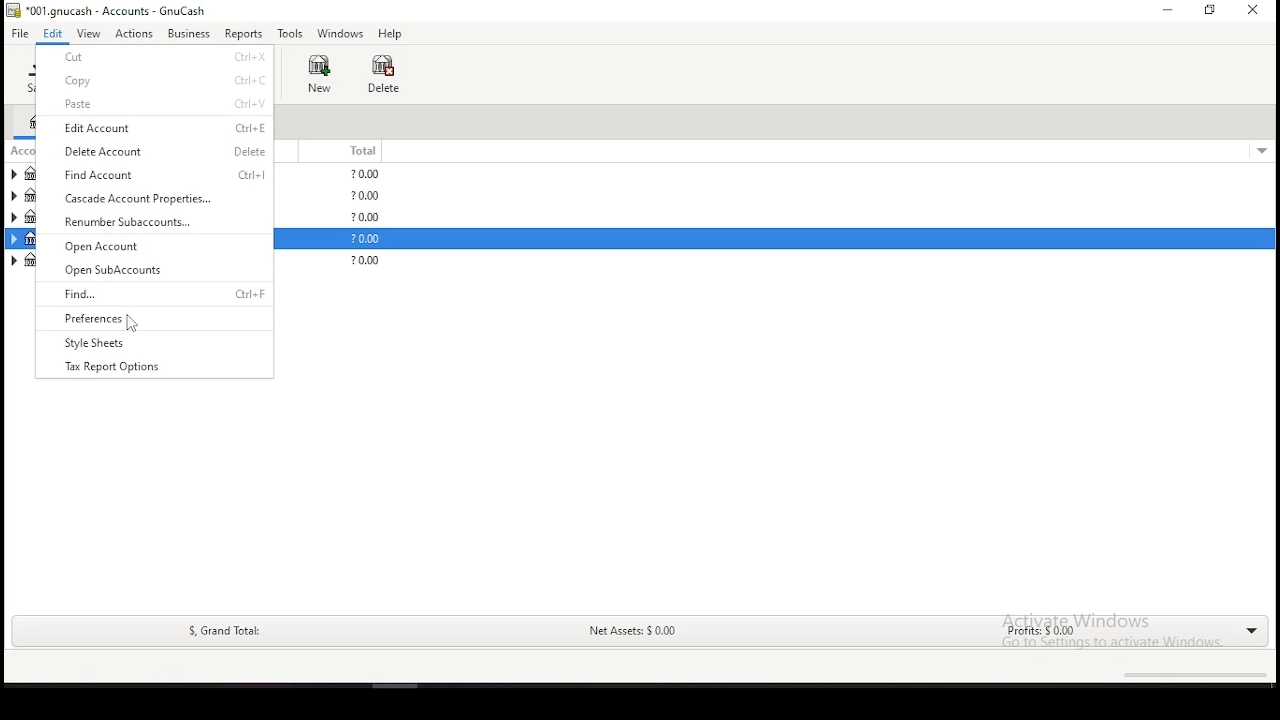 This screenshot has width=1280, height=720. I want to click on find account, so click(159, 176).